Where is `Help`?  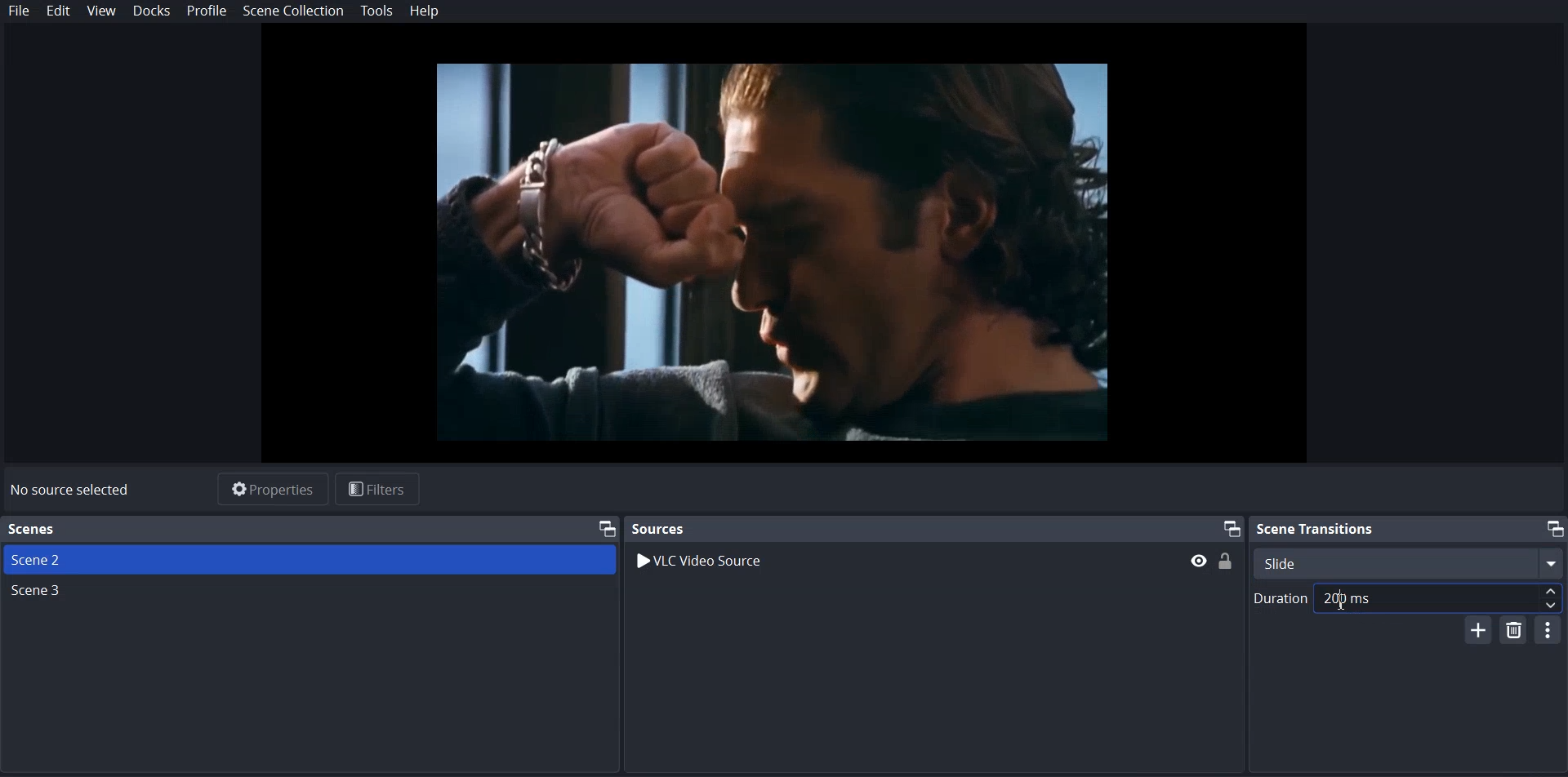
Help is located at coordinates (423, 12).